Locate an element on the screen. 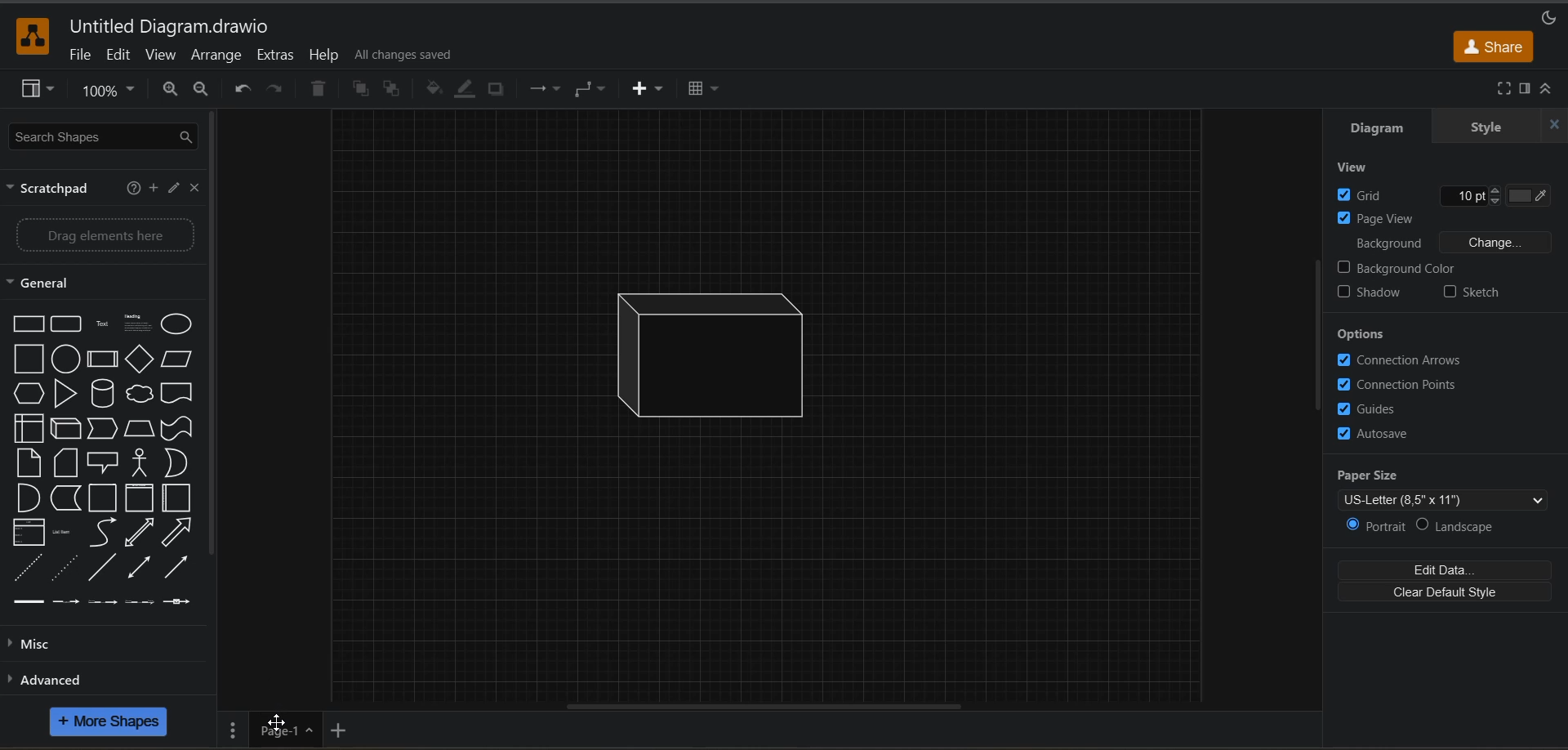 Image resolution: width=1568 pixels, height=750 pixels. all changes saved is located at coordinates (406, 53).